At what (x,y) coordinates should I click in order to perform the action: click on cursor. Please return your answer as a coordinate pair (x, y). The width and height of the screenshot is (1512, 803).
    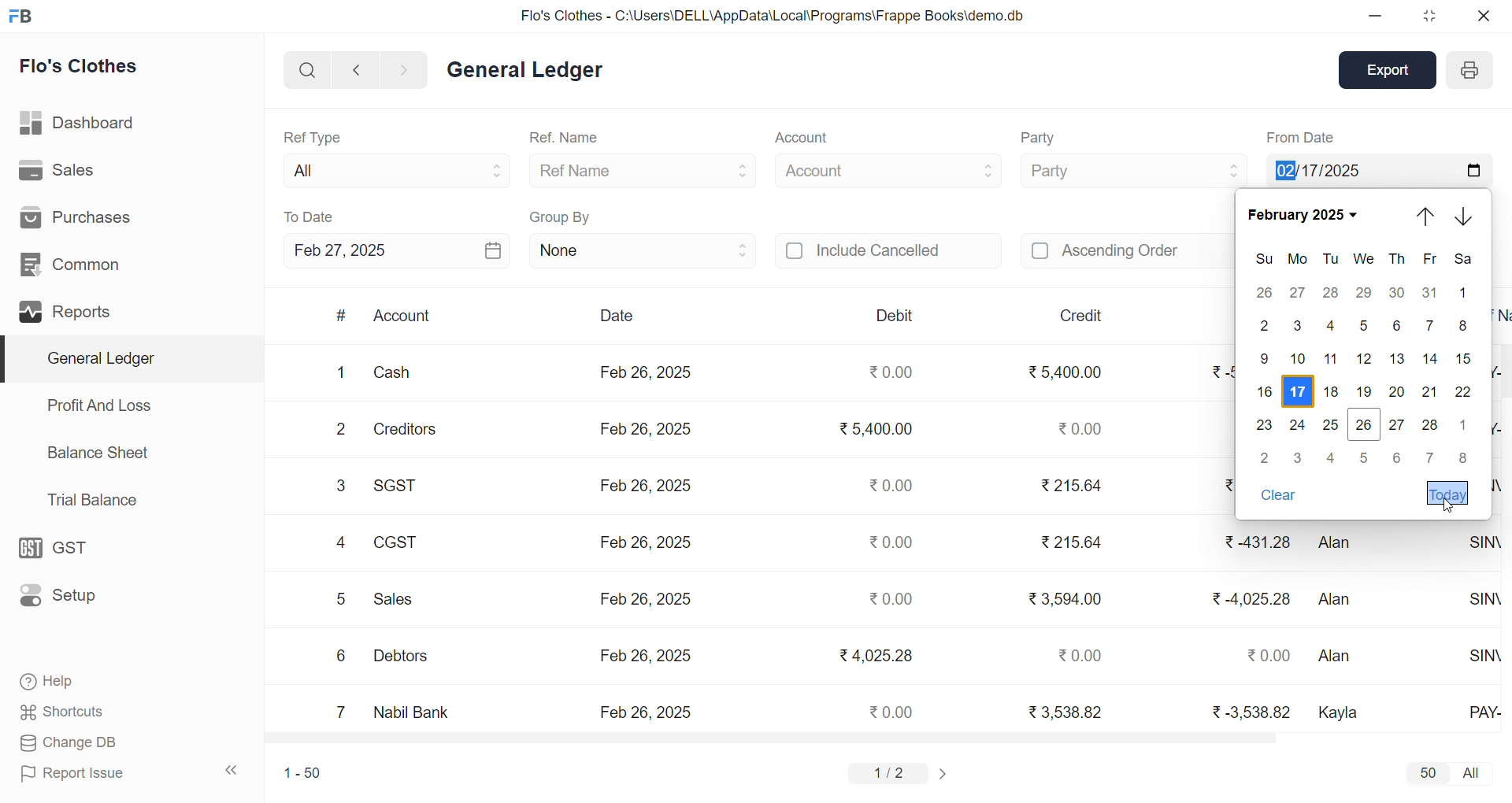
    Looking at the image, I should click on (1451, 506).